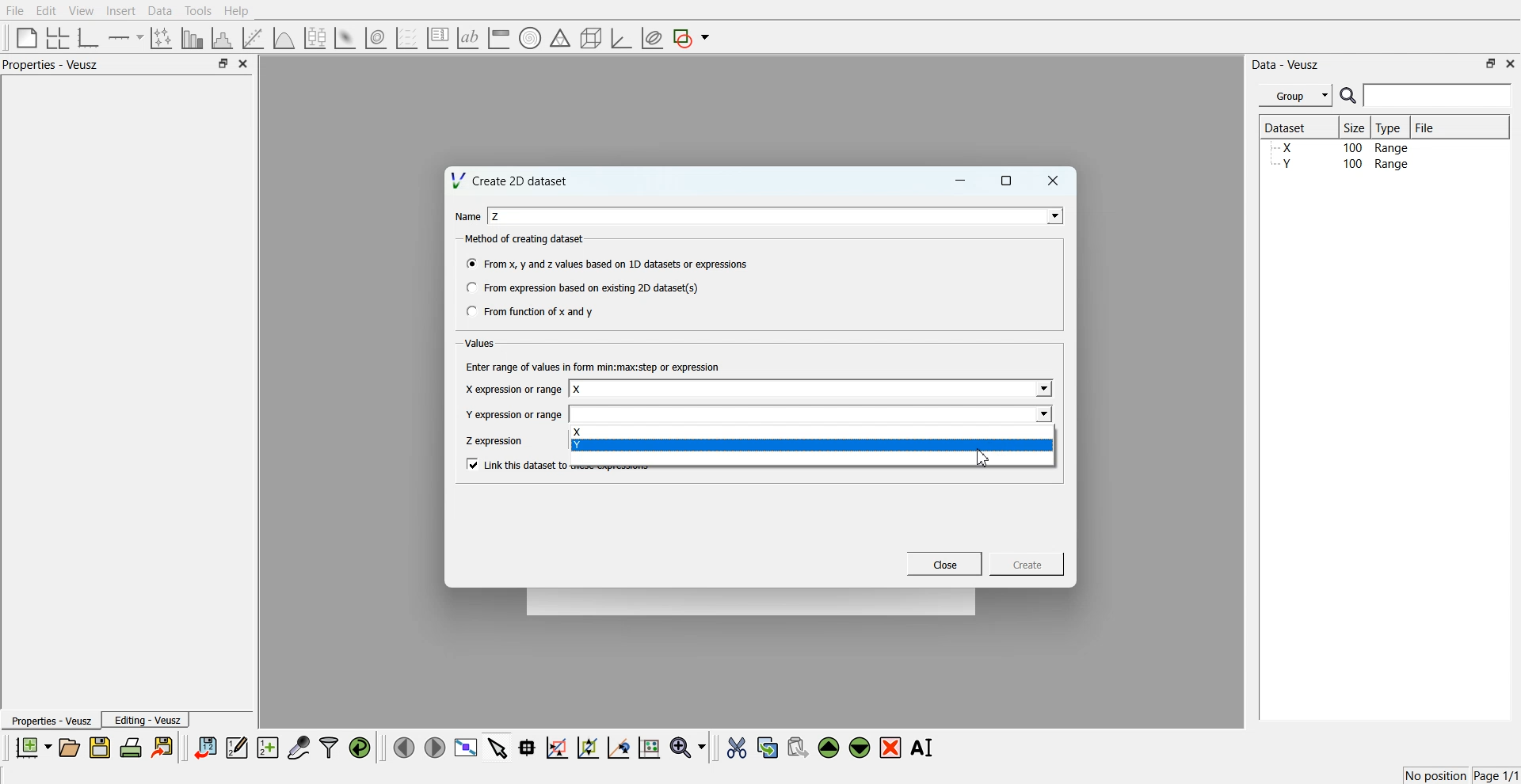 This screenshot has height=784, width=1521. I want to click on Z, so click(497, 216).